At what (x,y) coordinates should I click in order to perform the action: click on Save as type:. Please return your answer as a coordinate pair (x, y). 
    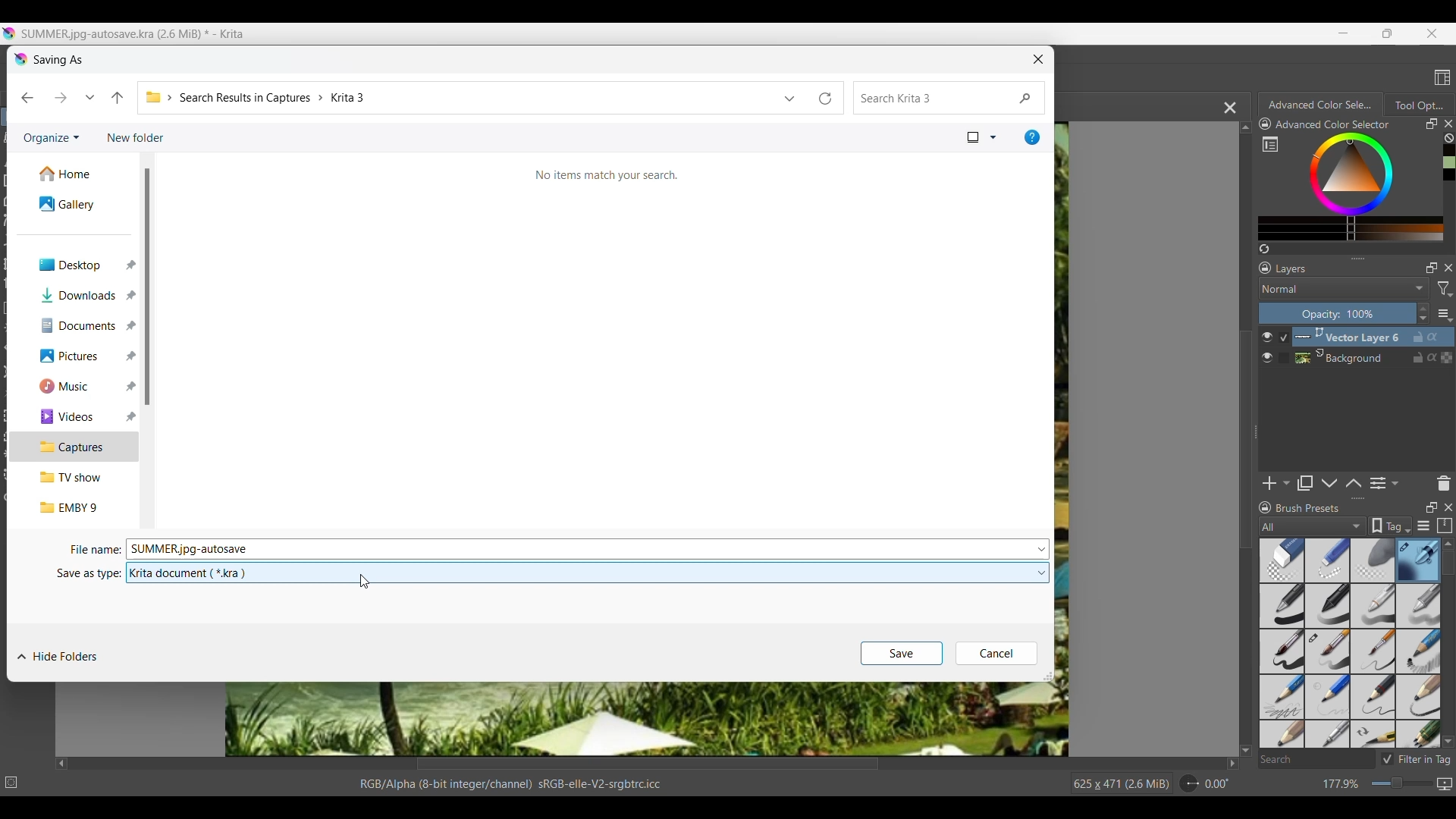
    Looking at the image, I should click on (87, 575).